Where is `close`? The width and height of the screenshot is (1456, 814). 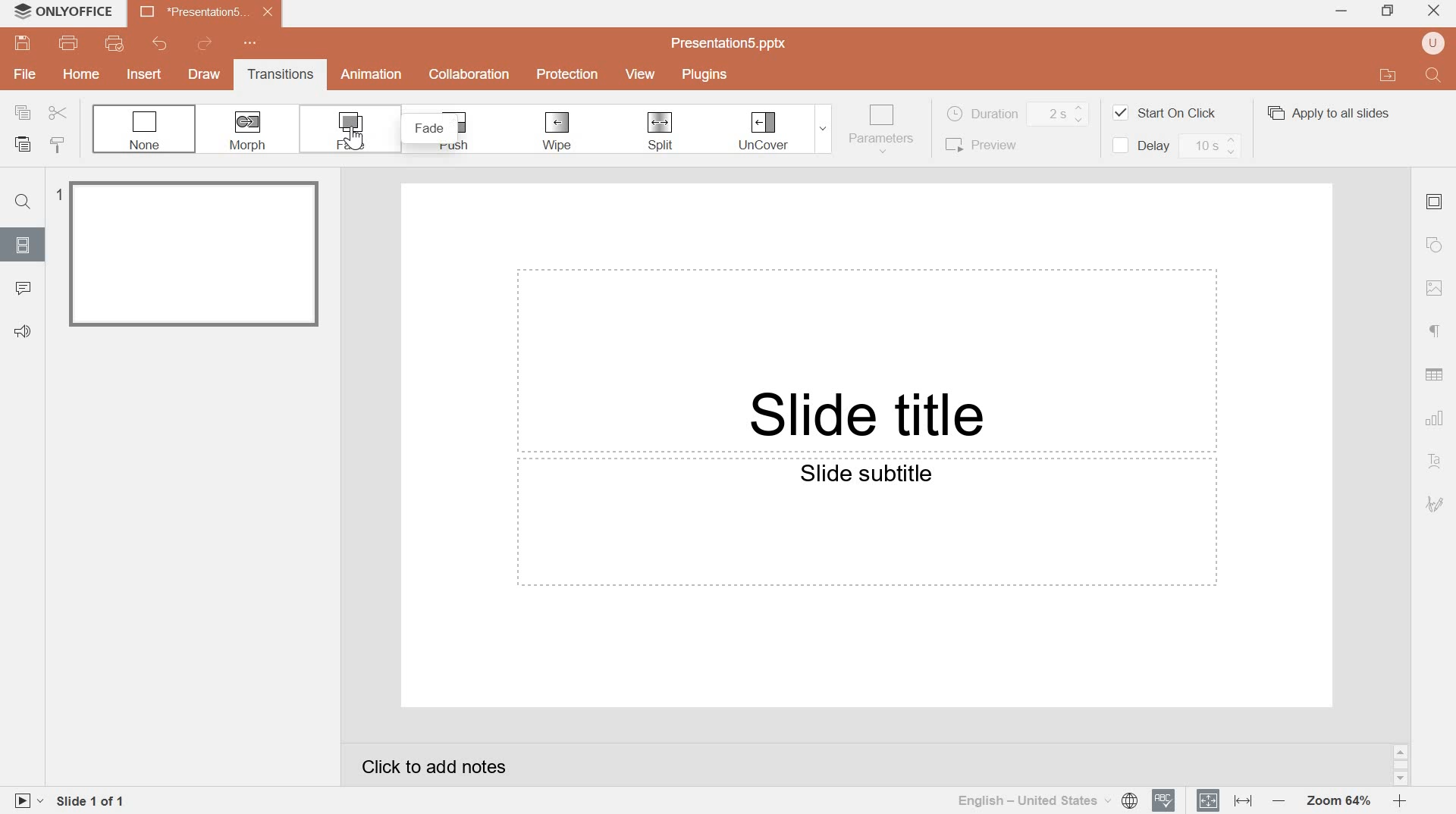 close is located at coordinates (1434, 9).